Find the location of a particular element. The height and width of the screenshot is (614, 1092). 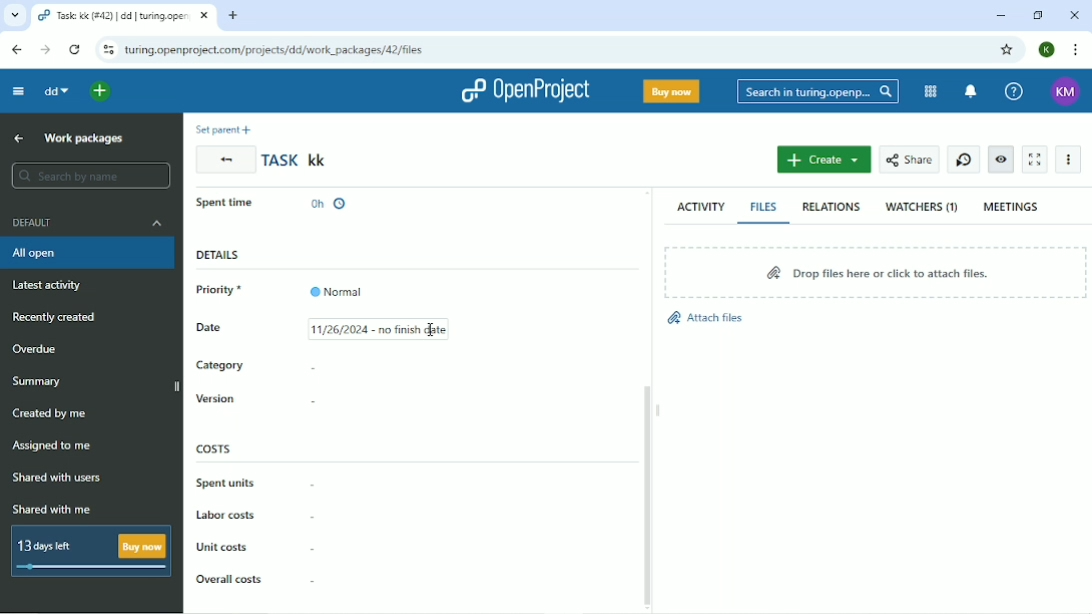

Back is located at coordinates (16, 50).